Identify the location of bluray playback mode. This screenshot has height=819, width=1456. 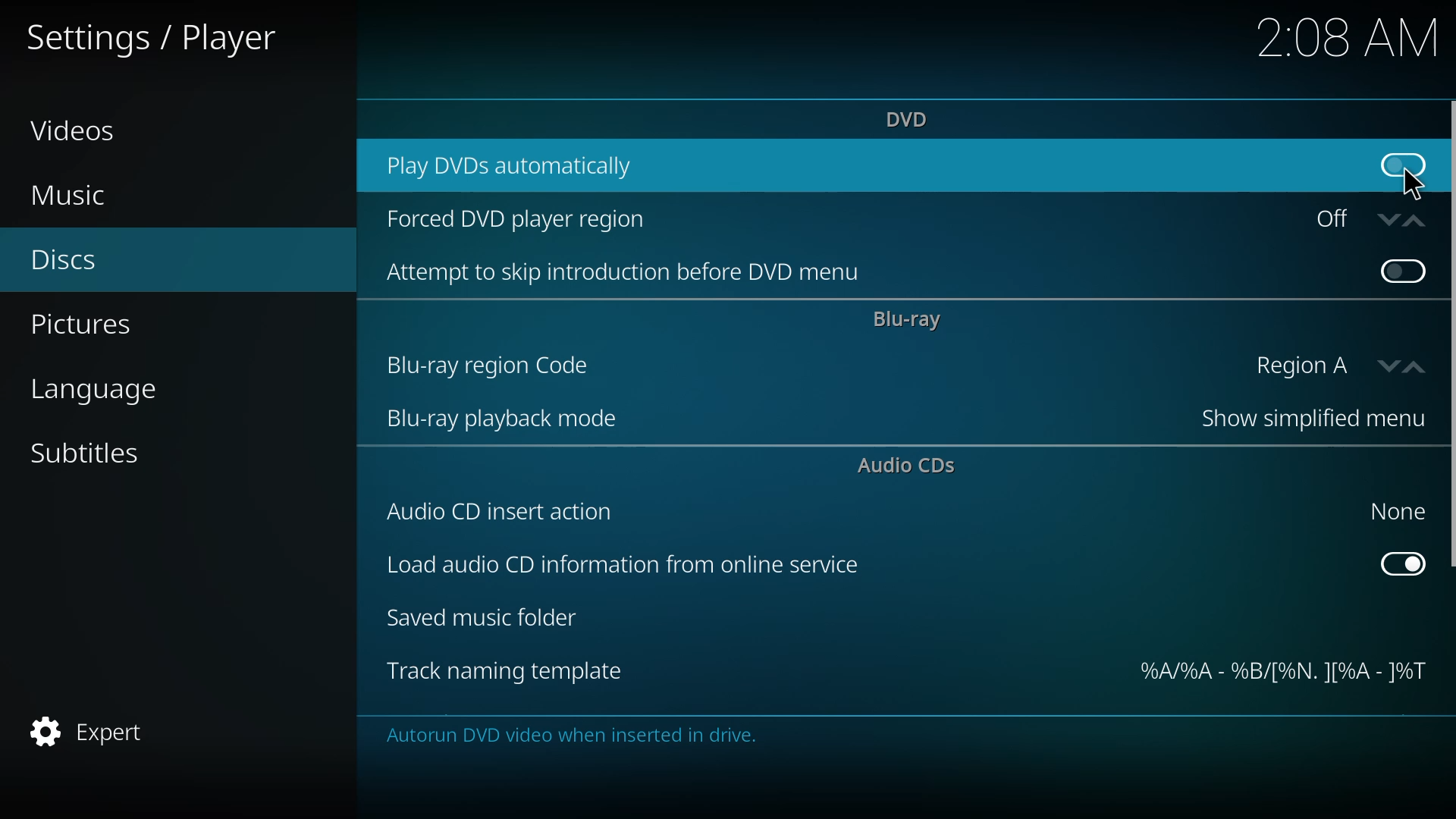
(504, 421).